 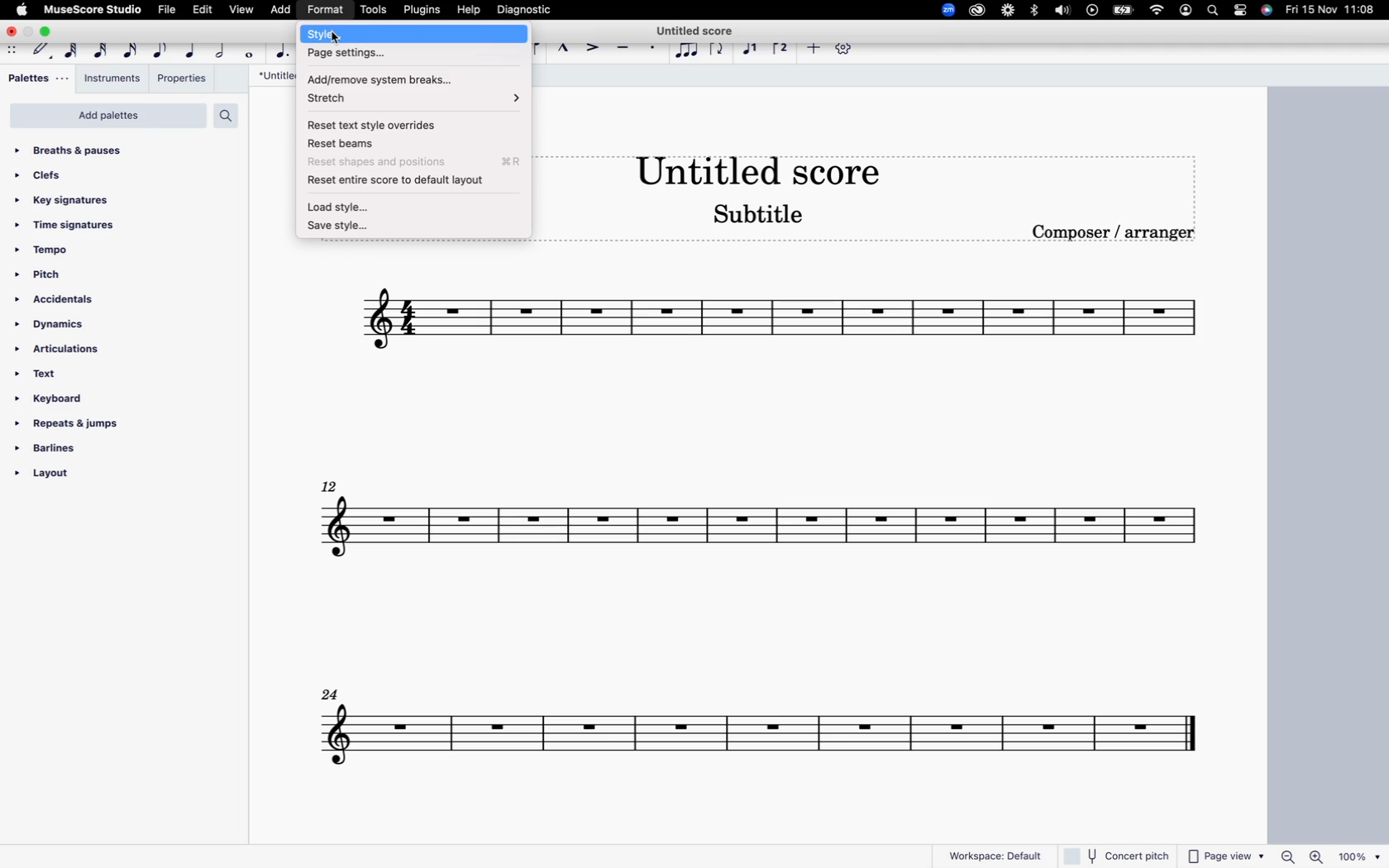 What do you see at coordinates (411, 34) in the screenshot?
I see `style` at bounding box center [411, 34].